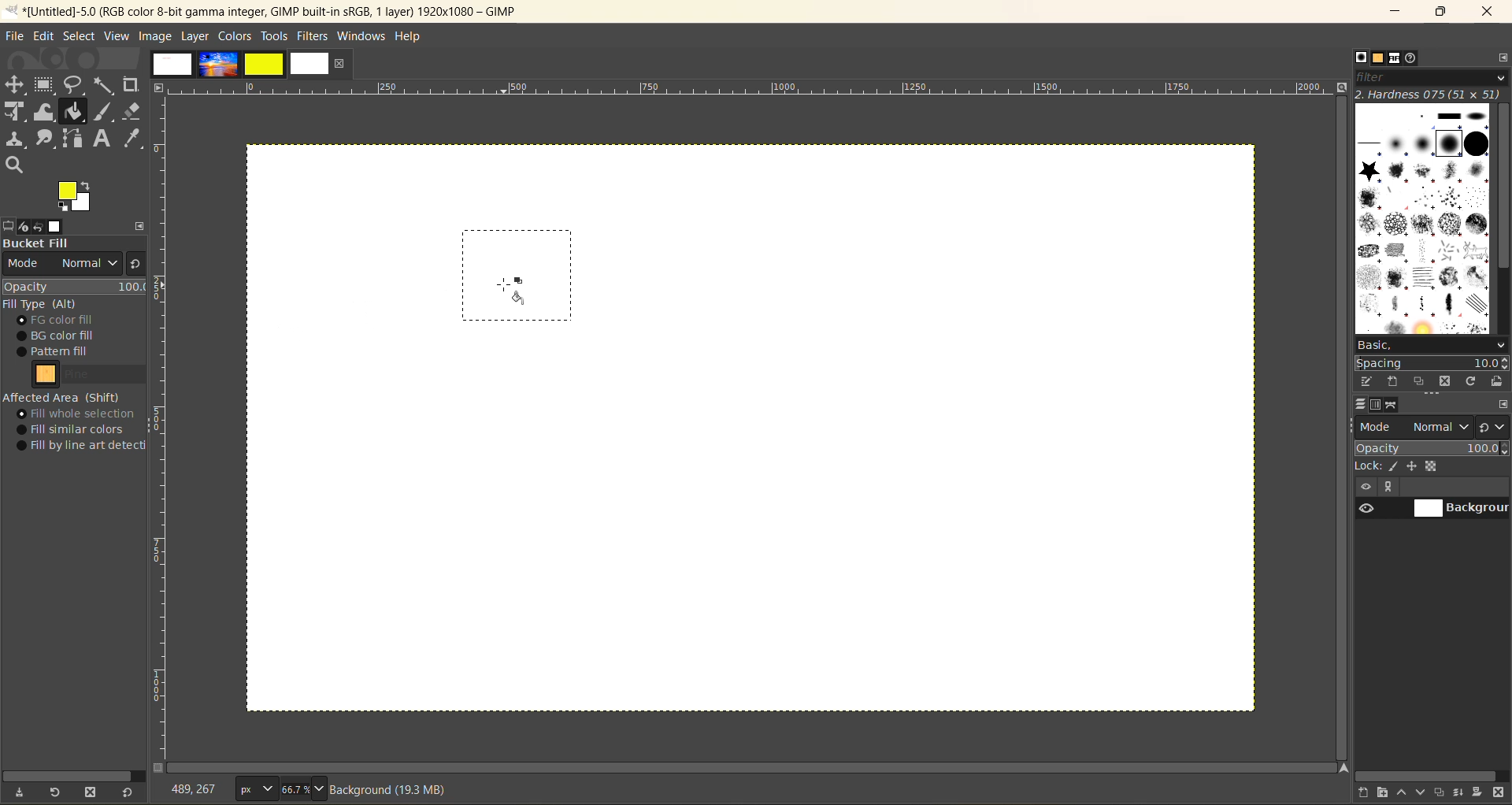 This screenshot has height=805, width=1512. I want to click on brushes, so click(1361, 58).